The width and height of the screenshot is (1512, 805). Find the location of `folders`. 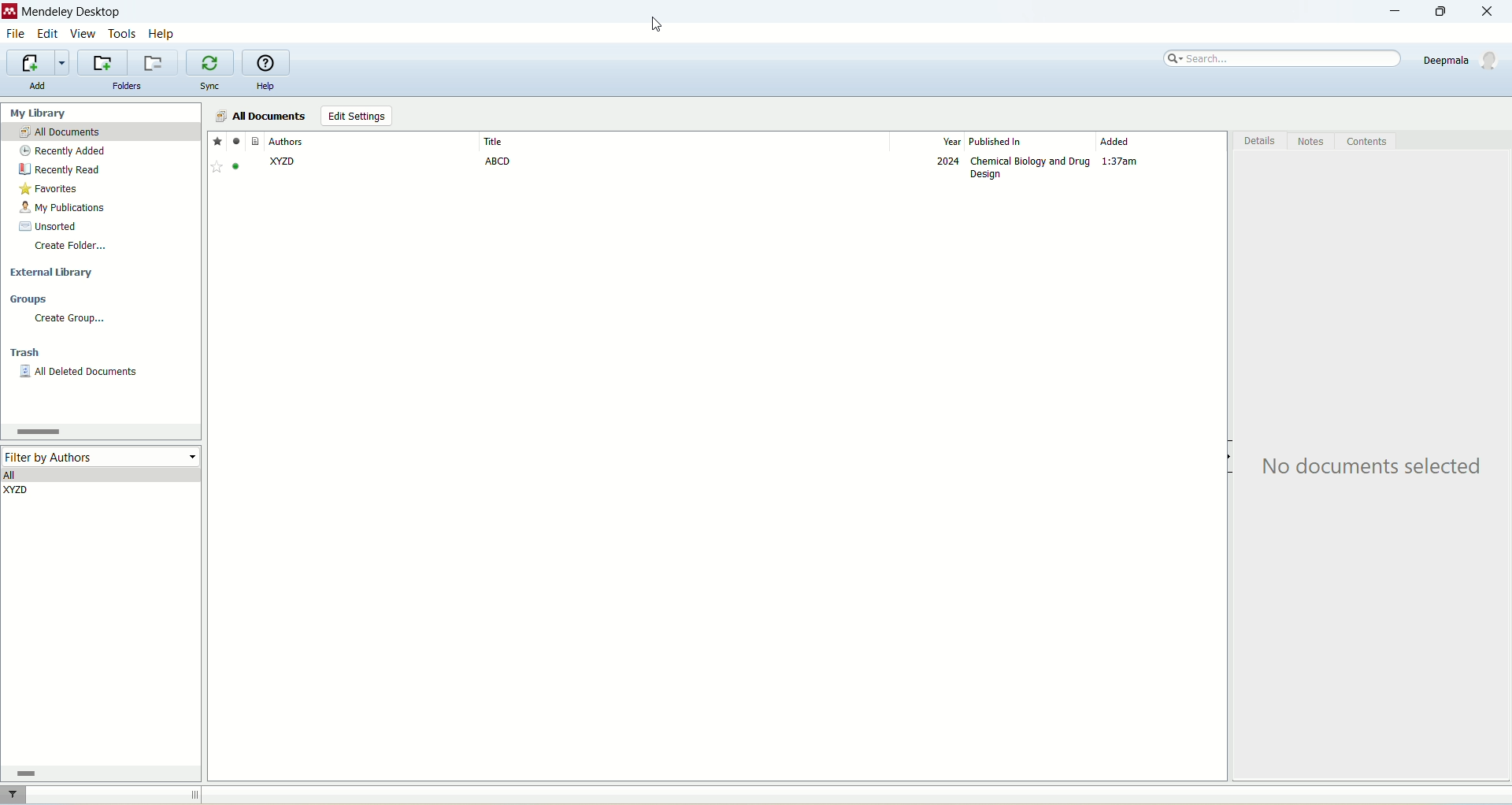

folders is located at coordinates (128, 87).